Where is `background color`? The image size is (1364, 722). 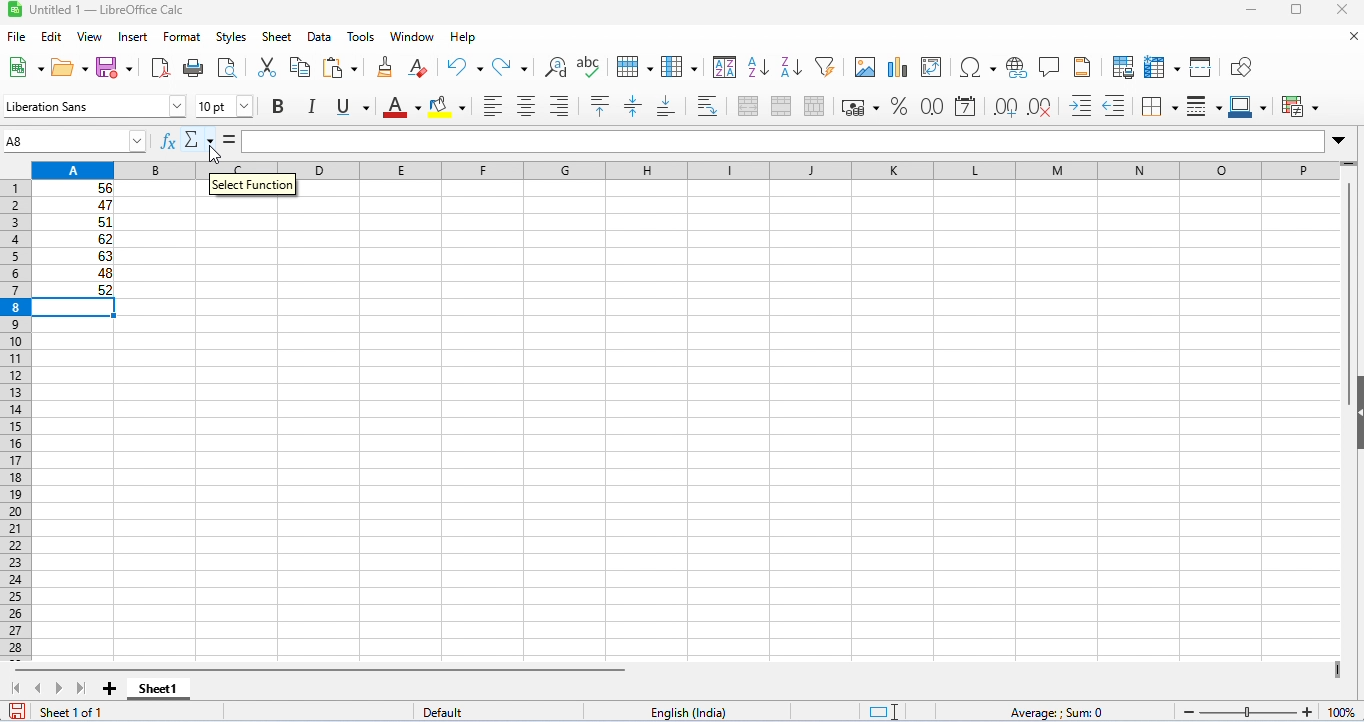 background color is located at coordinates (448, 107).